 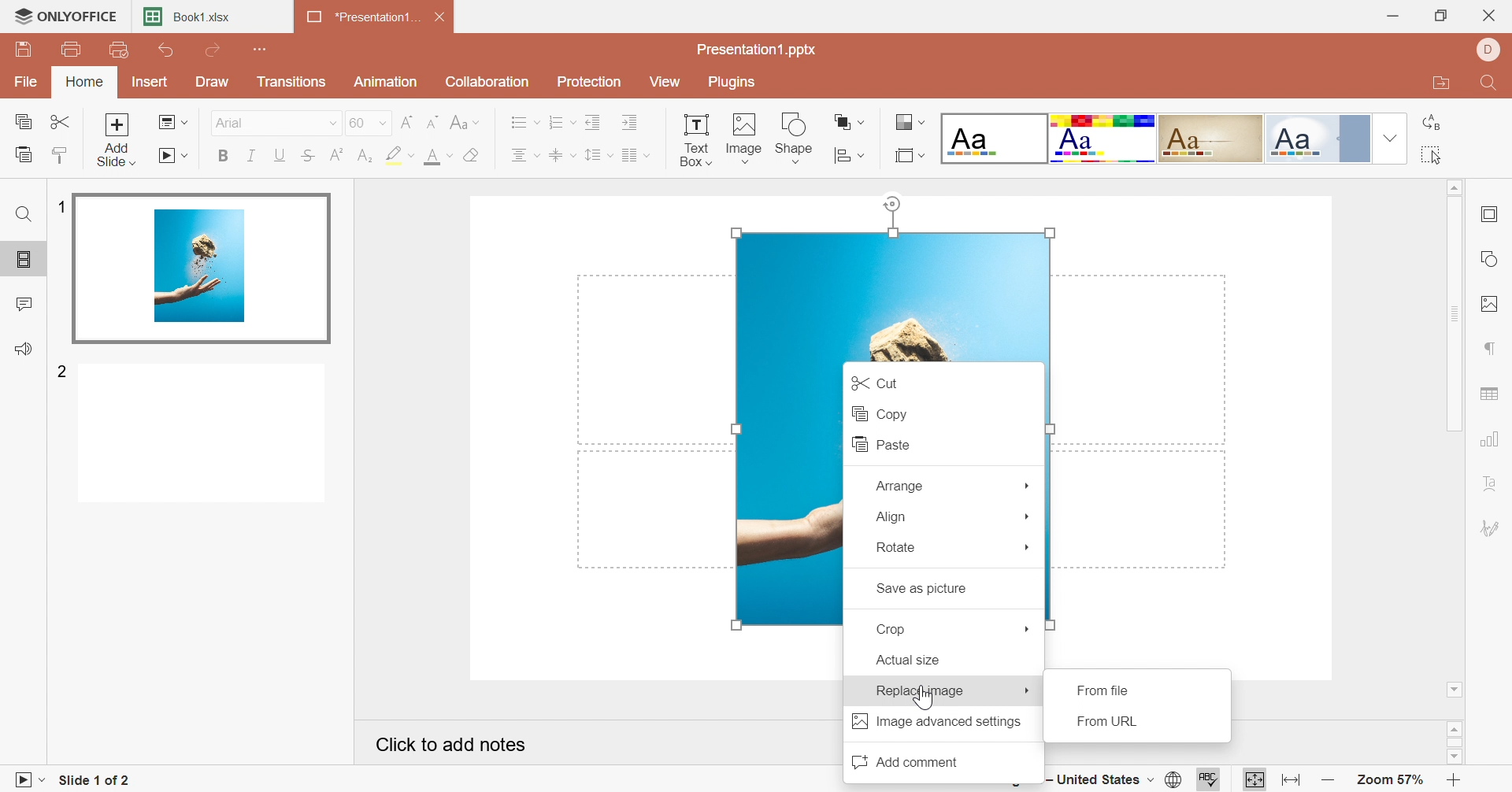 I want to click on Underline, so click(x=280, y=154).